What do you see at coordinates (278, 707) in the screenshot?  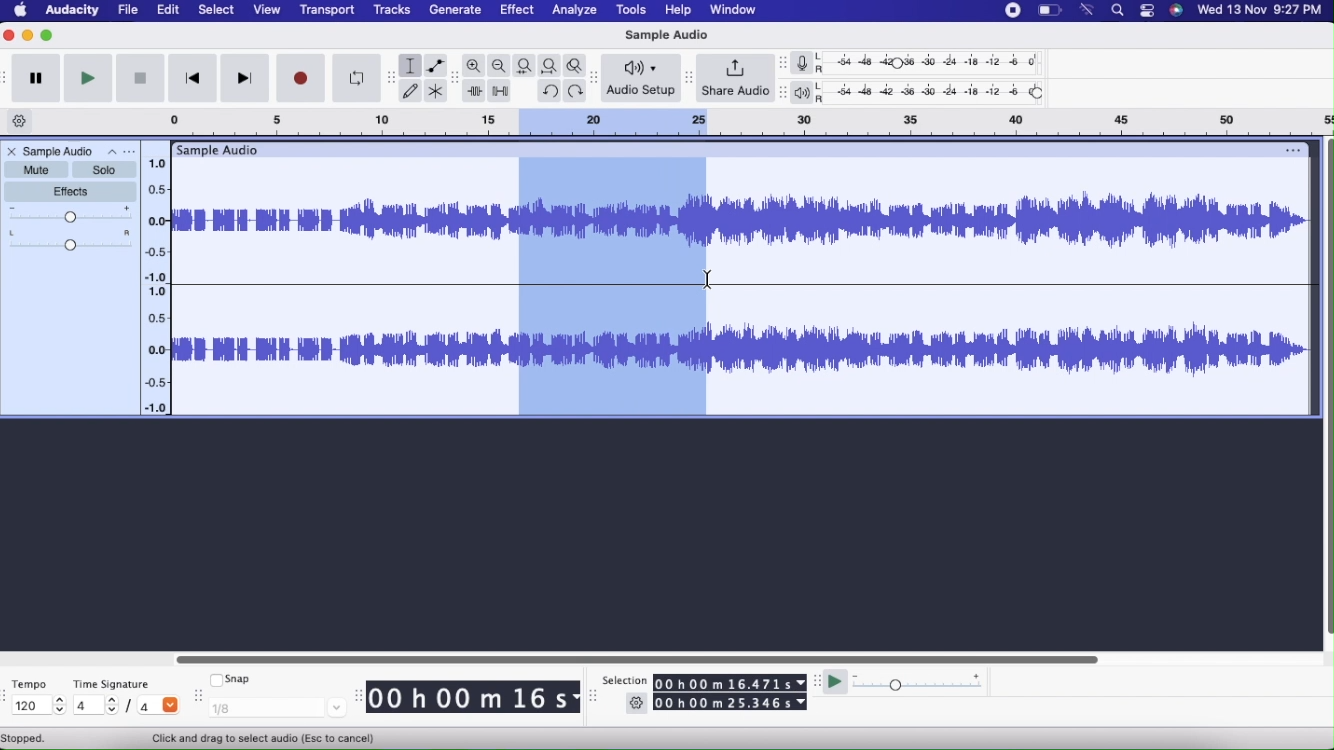 I see `1/8` at bounding box center [278, 707].